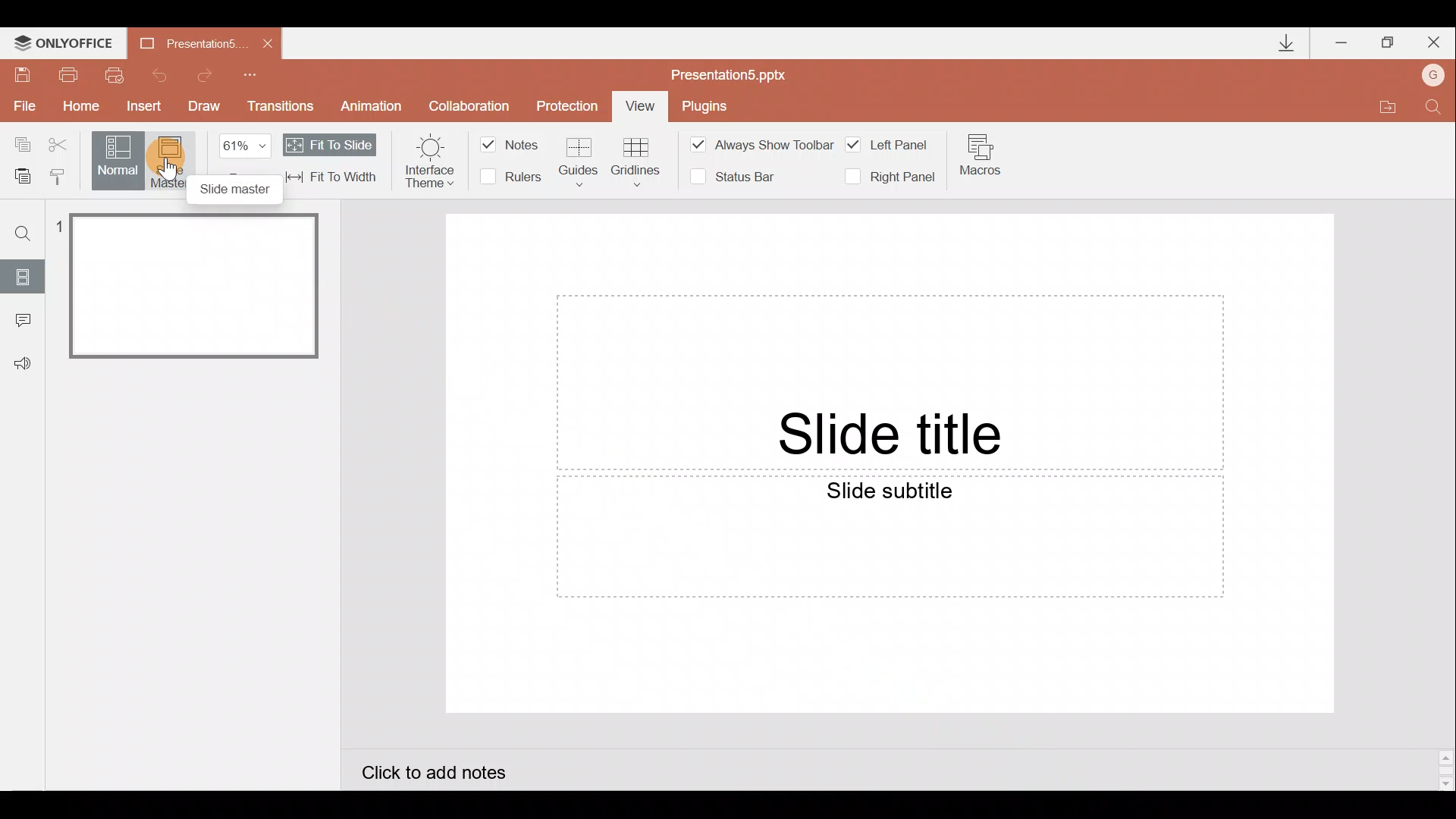  I want to click on Gridlines, so click(638, 162).